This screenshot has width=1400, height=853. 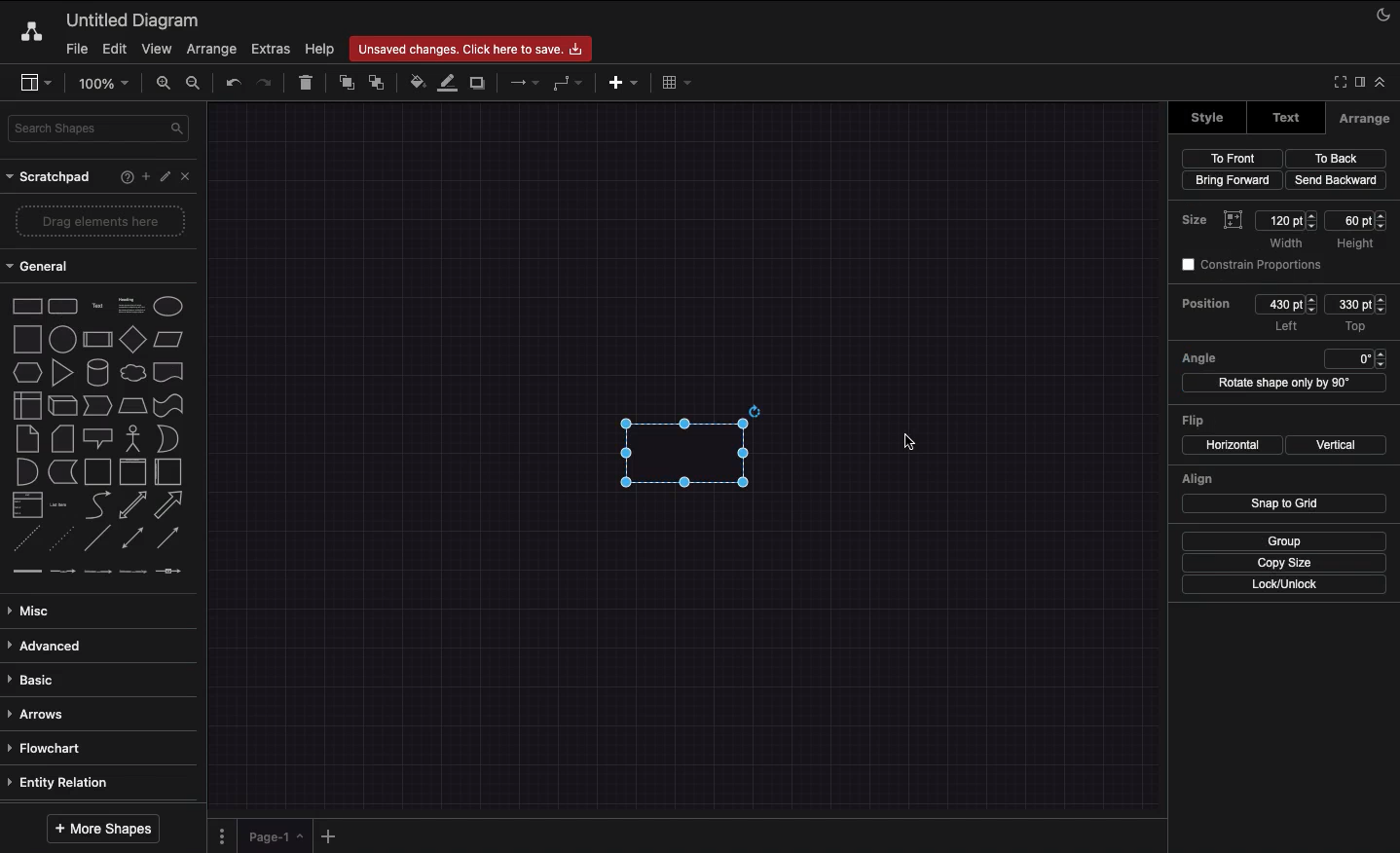 What do you see at coordinates (522, 83) in the screenshot?
I see `Connection ` at bounding box center [522, 83].